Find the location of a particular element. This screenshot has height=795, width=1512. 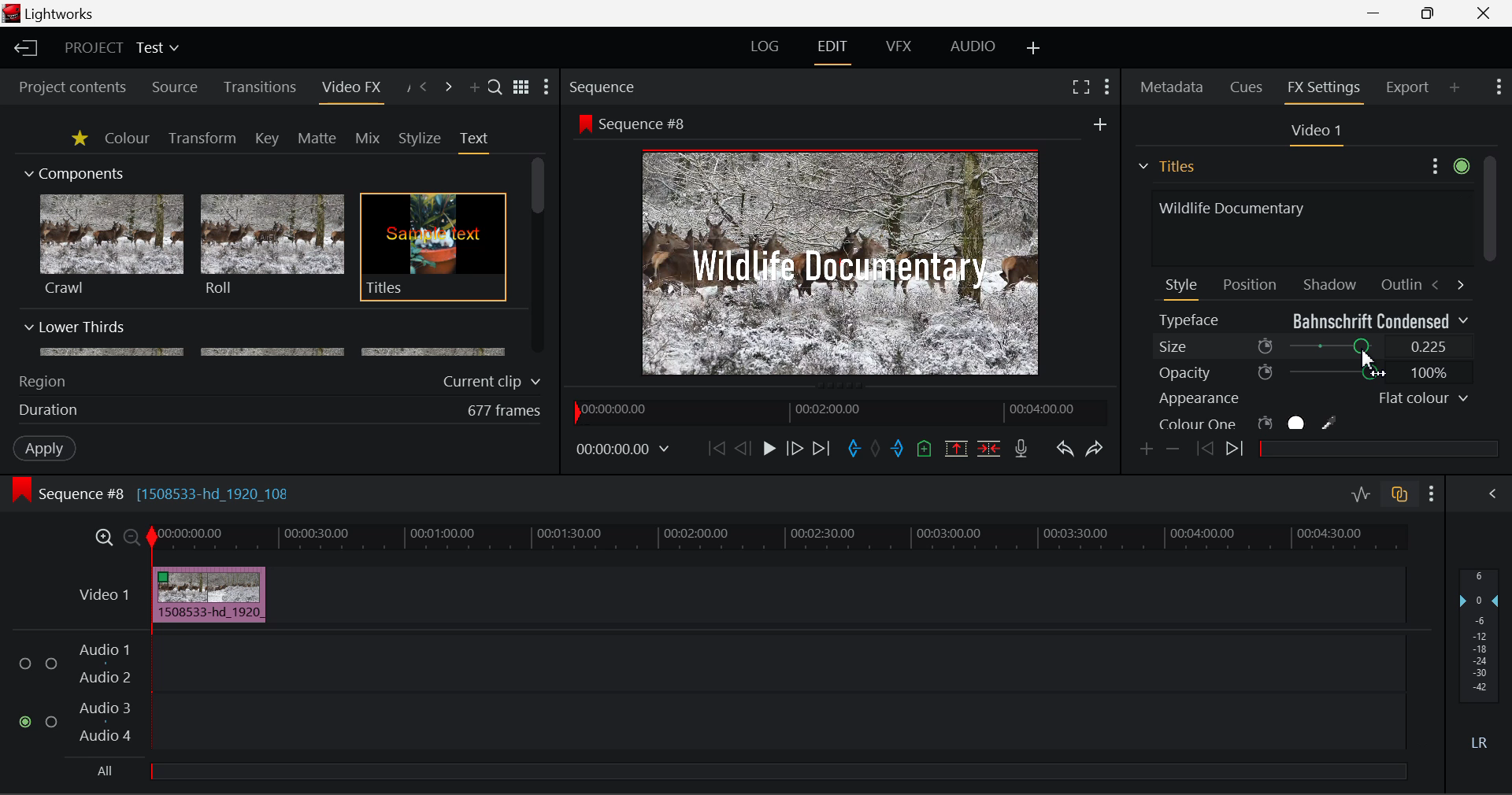

checkbox is located at coordinates (54, 723).